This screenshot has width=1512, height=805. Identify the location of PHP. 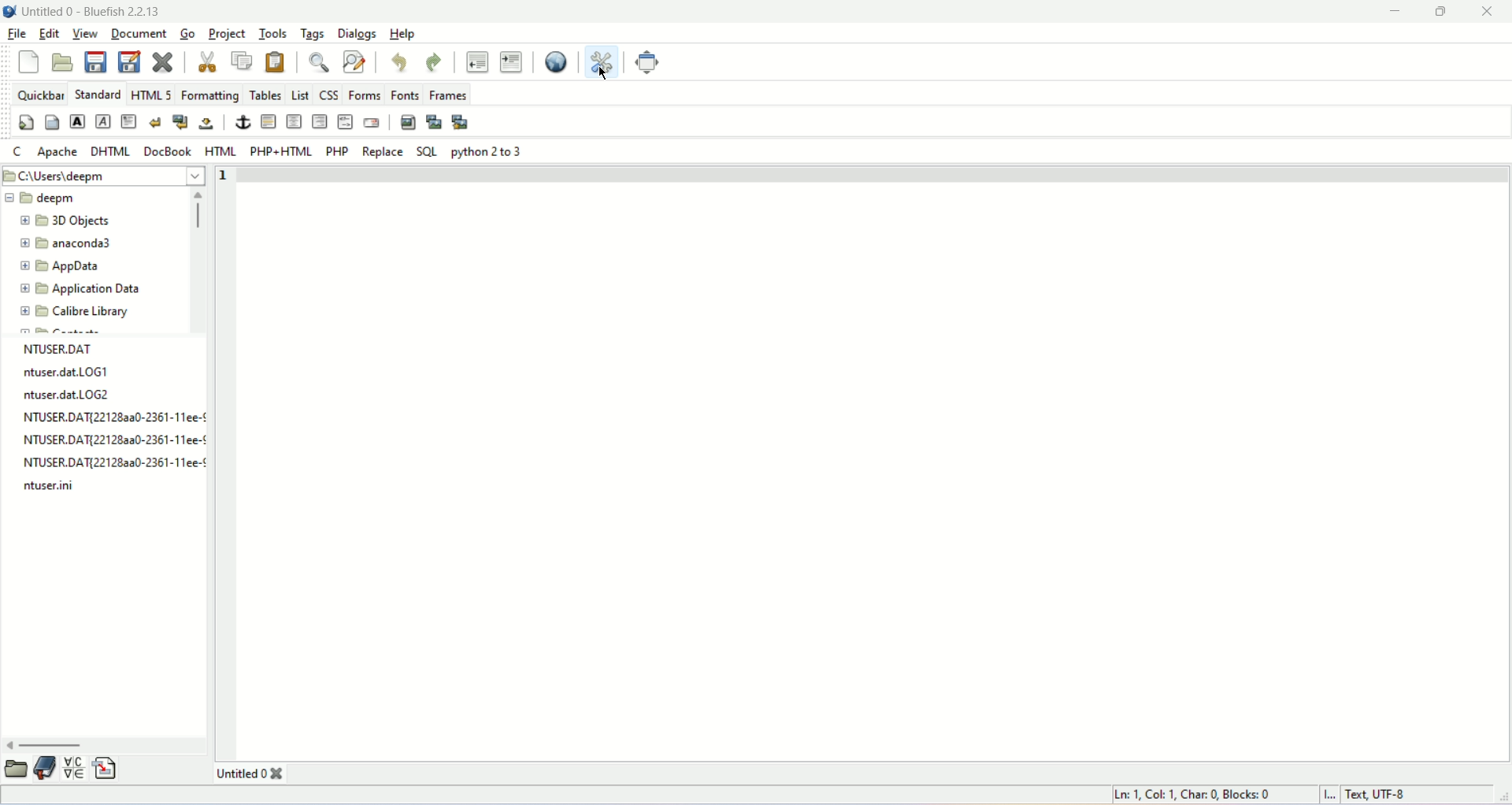
(337, 151).